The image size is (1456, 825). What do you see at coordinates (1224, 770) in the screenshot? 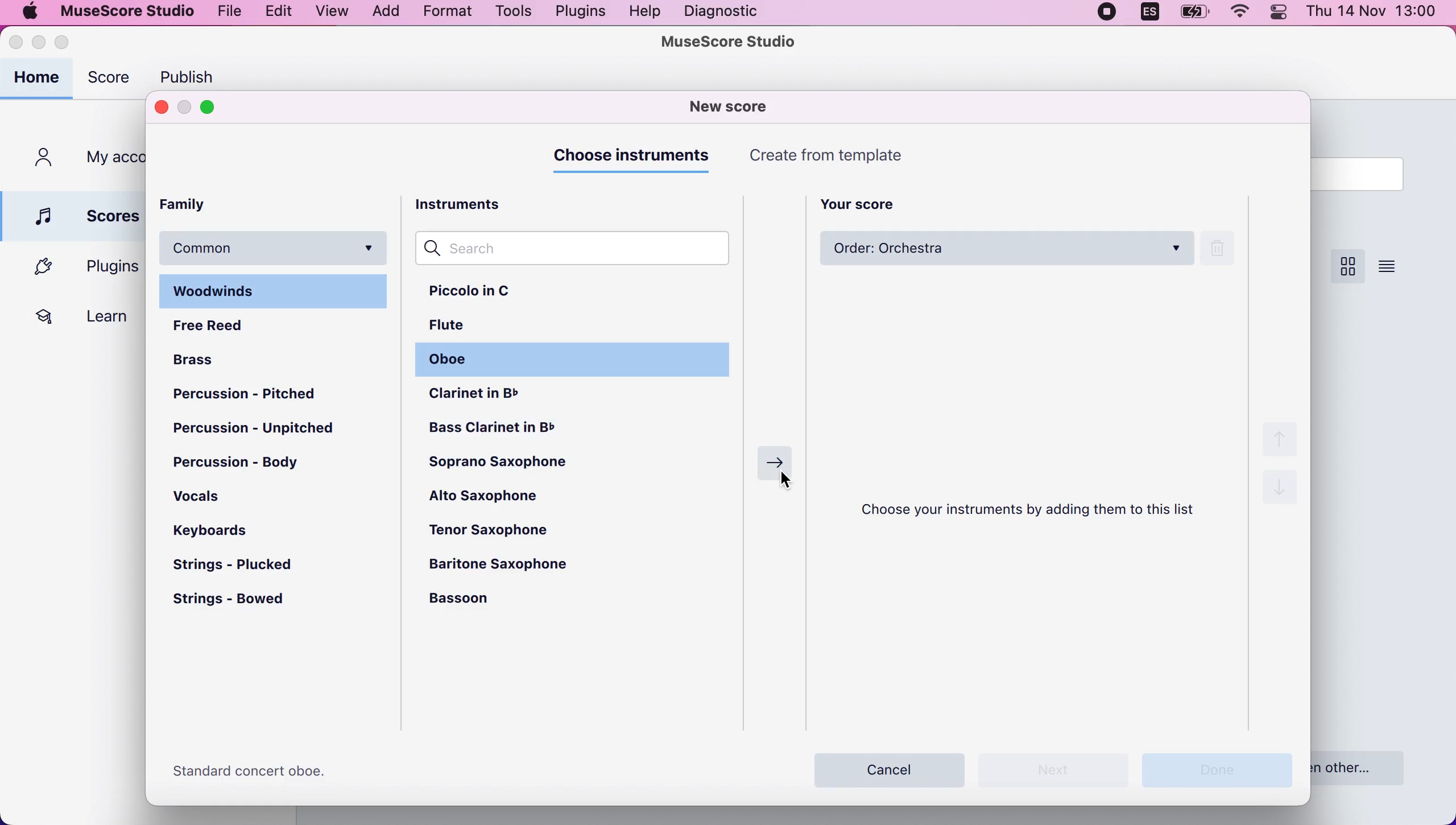
I see `done` at bounding box center [1224, 770].